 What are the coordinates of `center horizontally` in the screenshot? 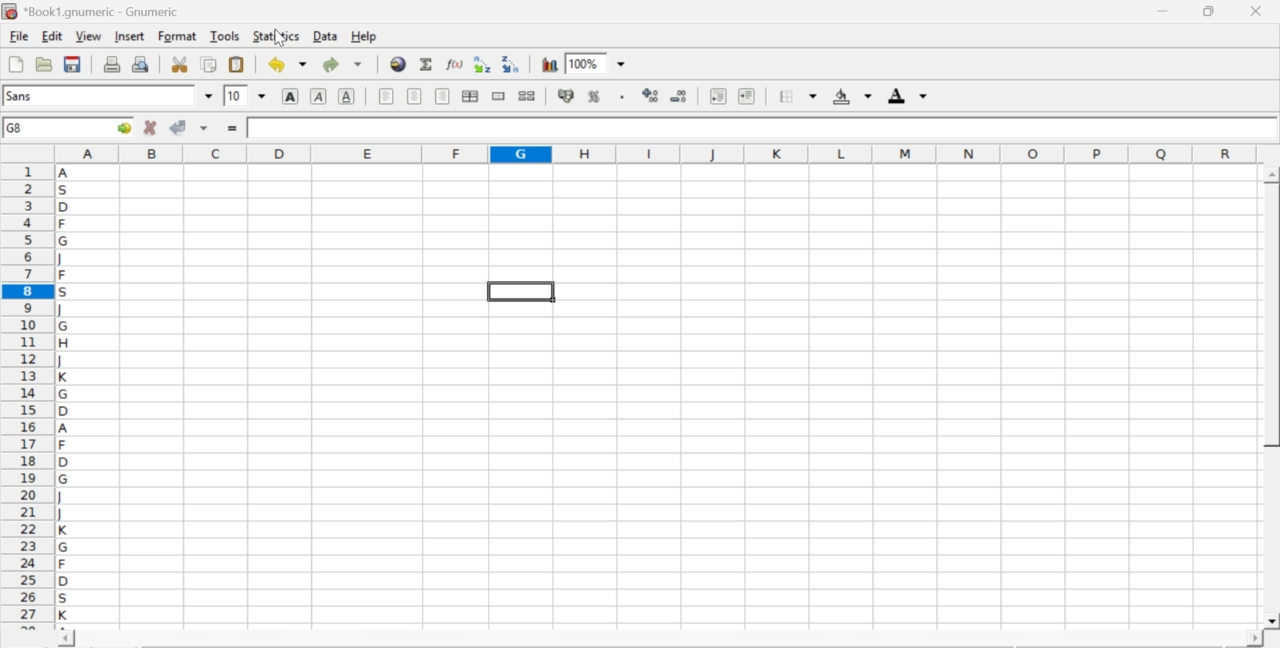 It's located at (415, 96).